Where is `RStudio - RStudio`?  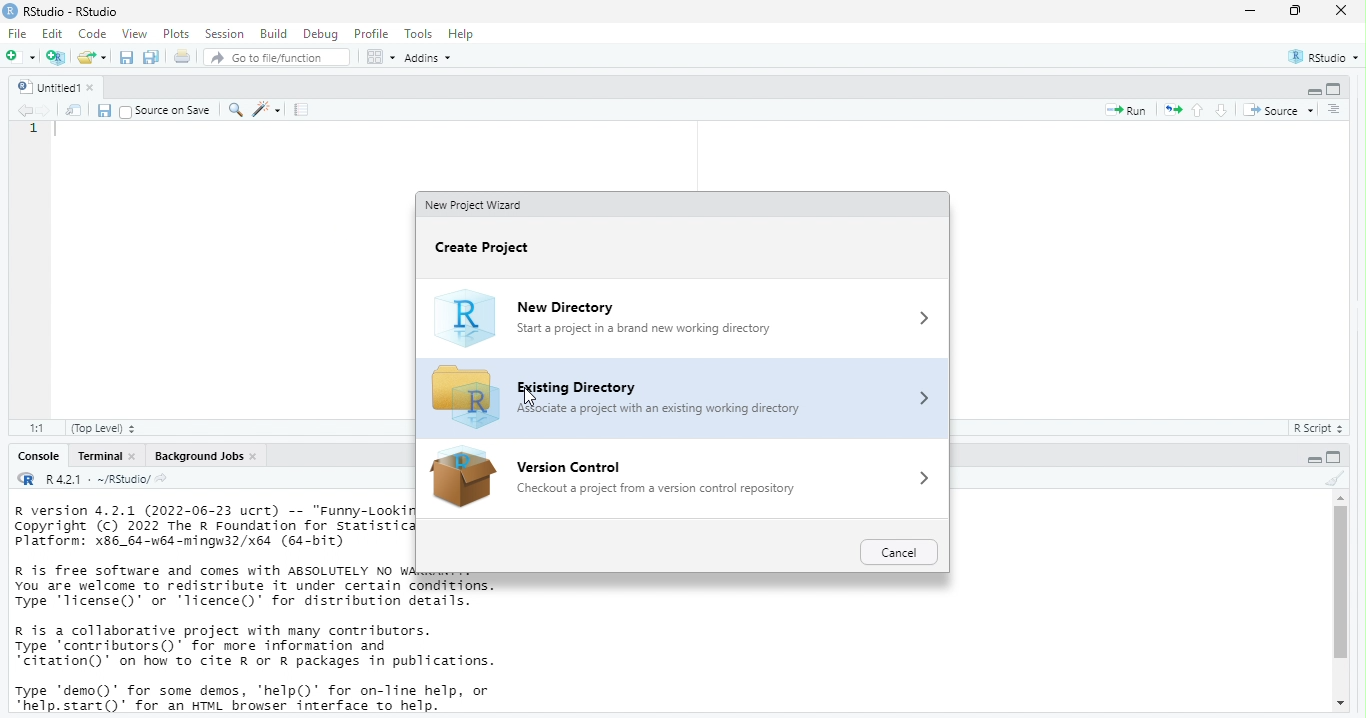 RStudio - RStudio is located at coordinates (75, 11).